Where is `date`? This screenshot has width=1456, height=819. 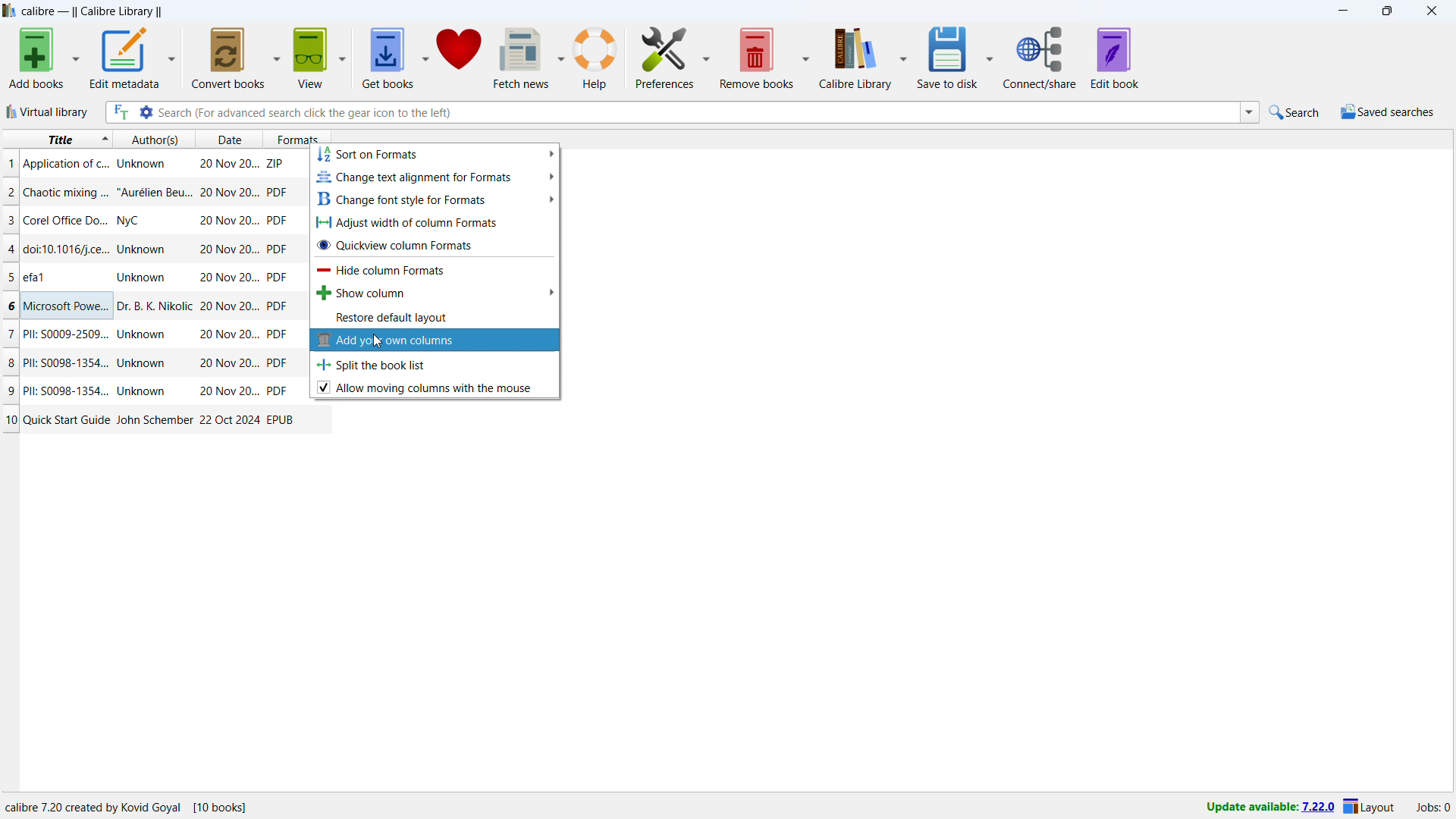 date is located at coordinates (229, 392).